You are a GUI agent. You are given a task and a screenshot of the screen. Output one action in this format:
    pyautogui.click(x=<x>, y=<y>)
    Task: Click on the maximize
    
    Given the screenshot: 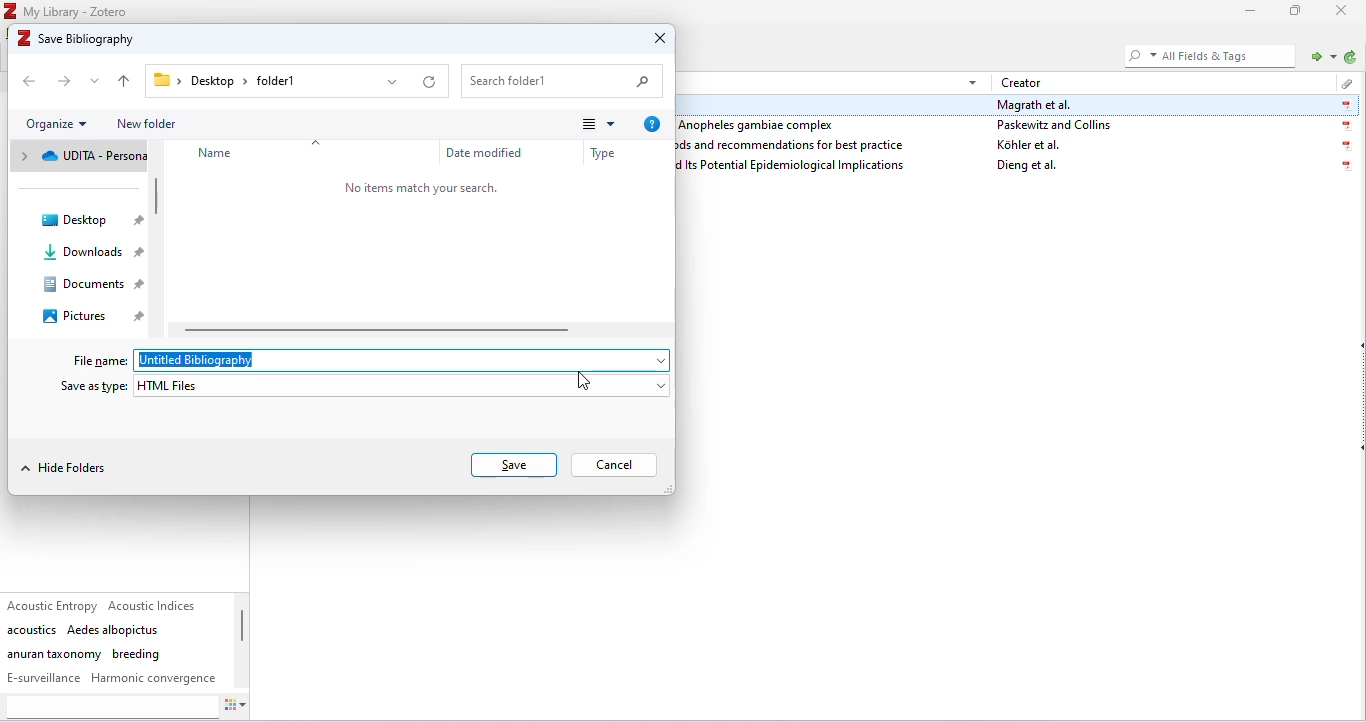 What is the action you would take?
    pyautogui.click(x=1296, y=12)
    